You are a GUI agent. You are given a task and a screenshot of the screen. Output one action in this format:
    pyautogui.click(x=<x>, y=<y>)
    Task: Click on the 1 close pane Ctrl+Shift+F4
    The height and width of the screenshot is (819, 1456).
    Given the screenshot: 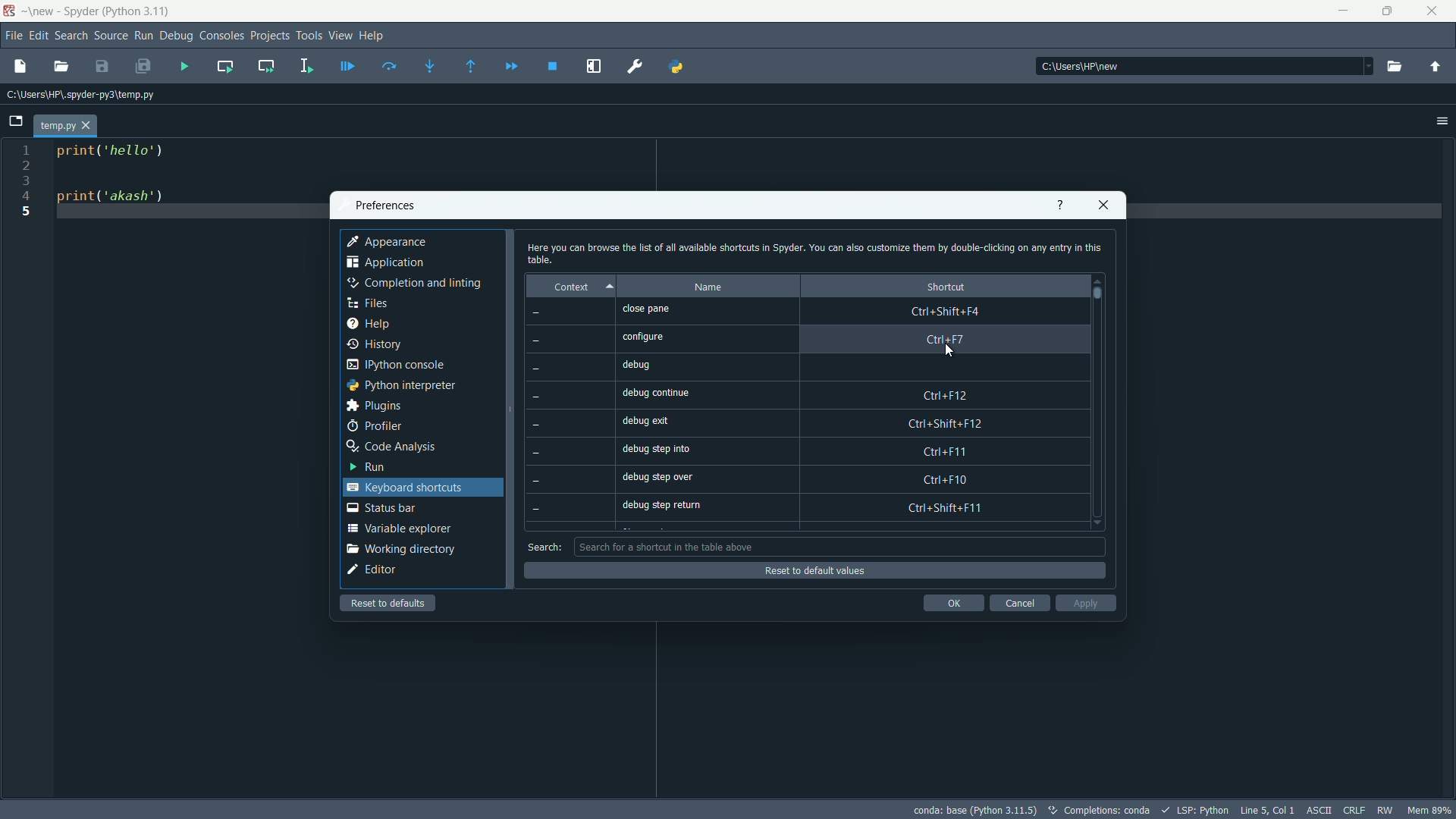 What is the action you would take?
    pyautogui.click(x=814, y=310)
    